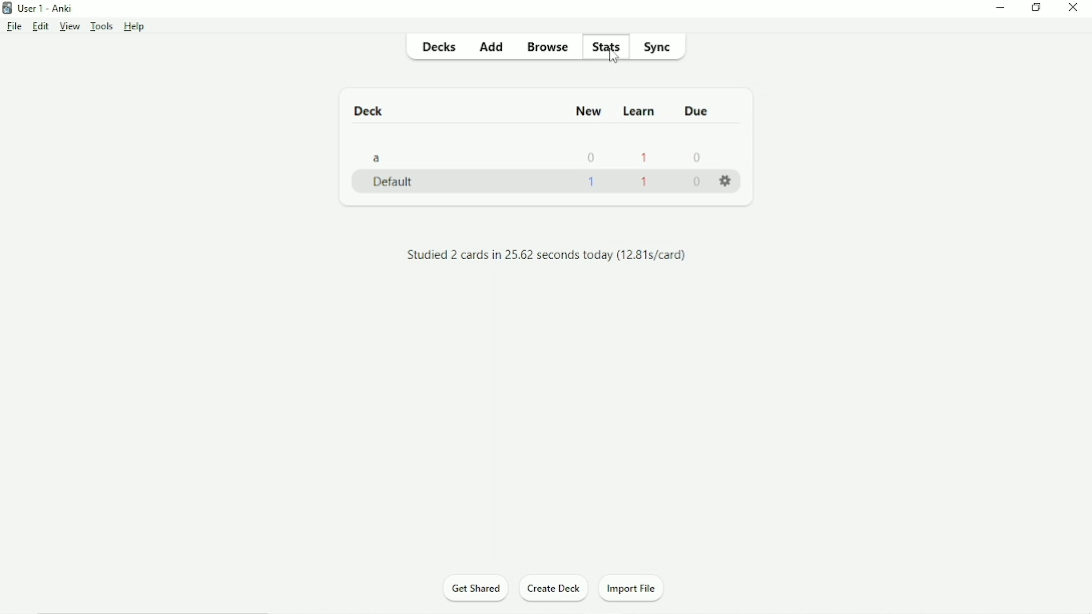  Describe the element at coordinates (1036, 7) in the screenshot. I see `Restore down` at that location.